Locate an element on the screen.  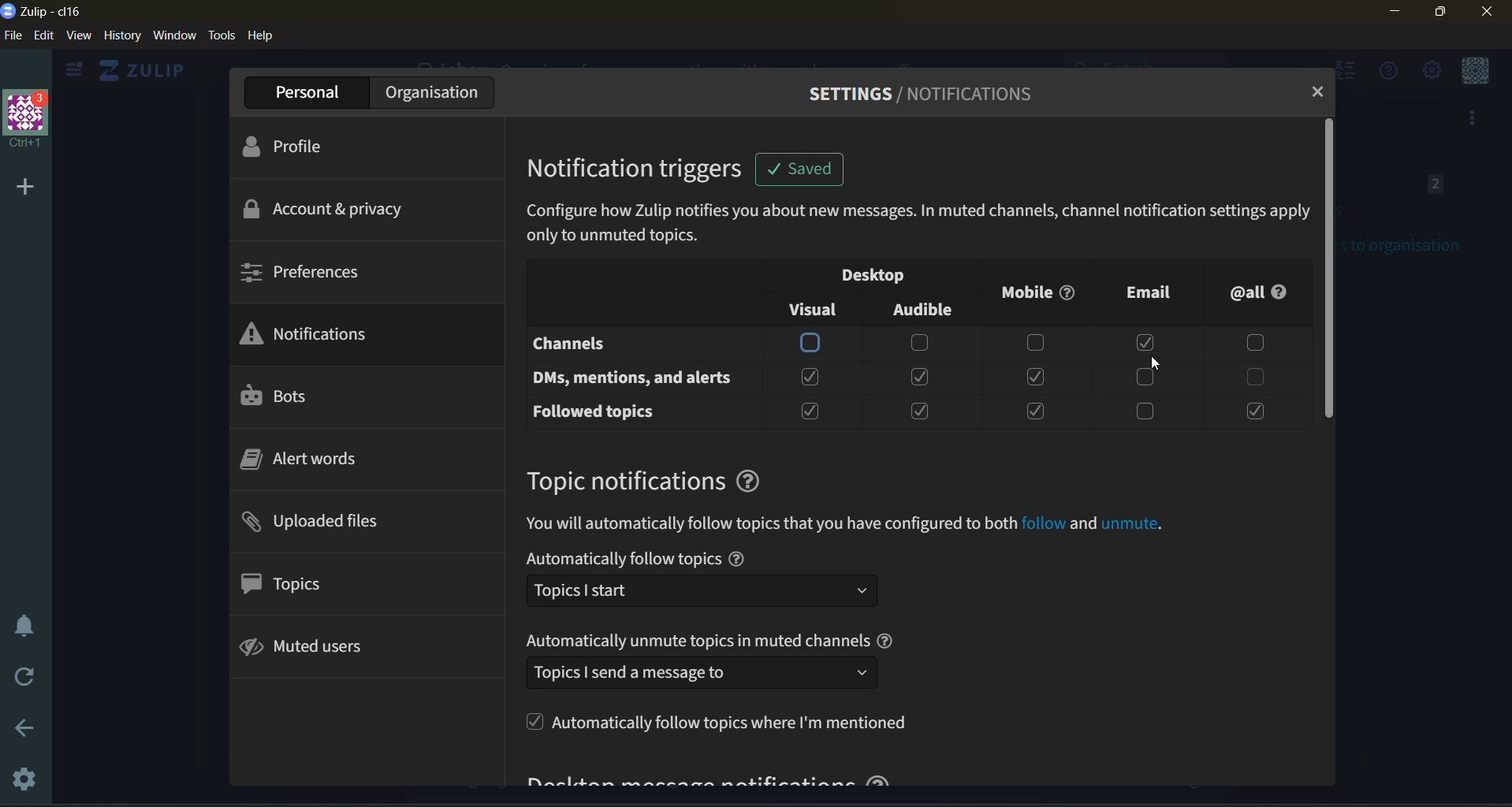
history is located at coordinates (122, 35).